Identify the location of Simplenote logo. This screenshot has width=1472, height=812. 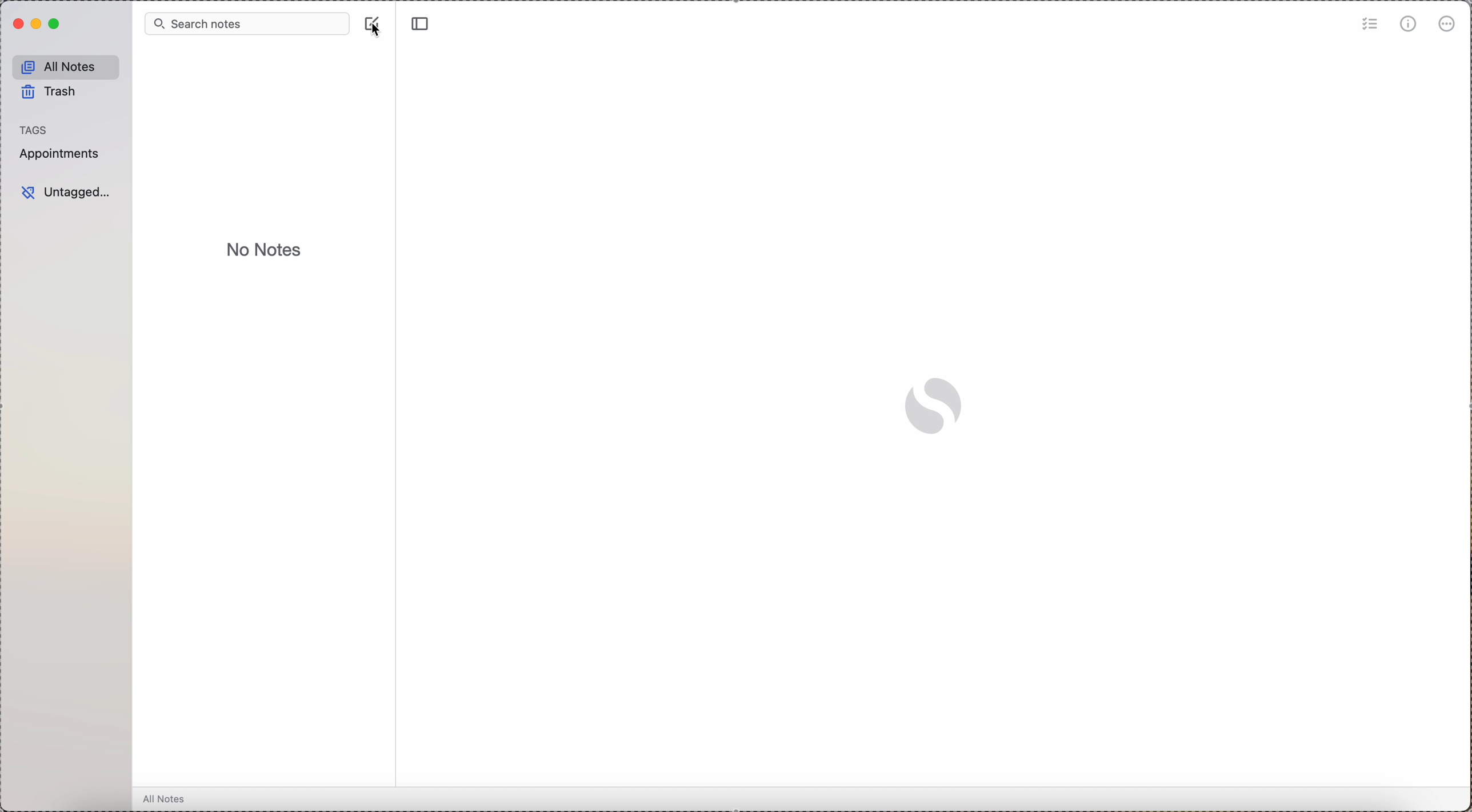
(935, 407).